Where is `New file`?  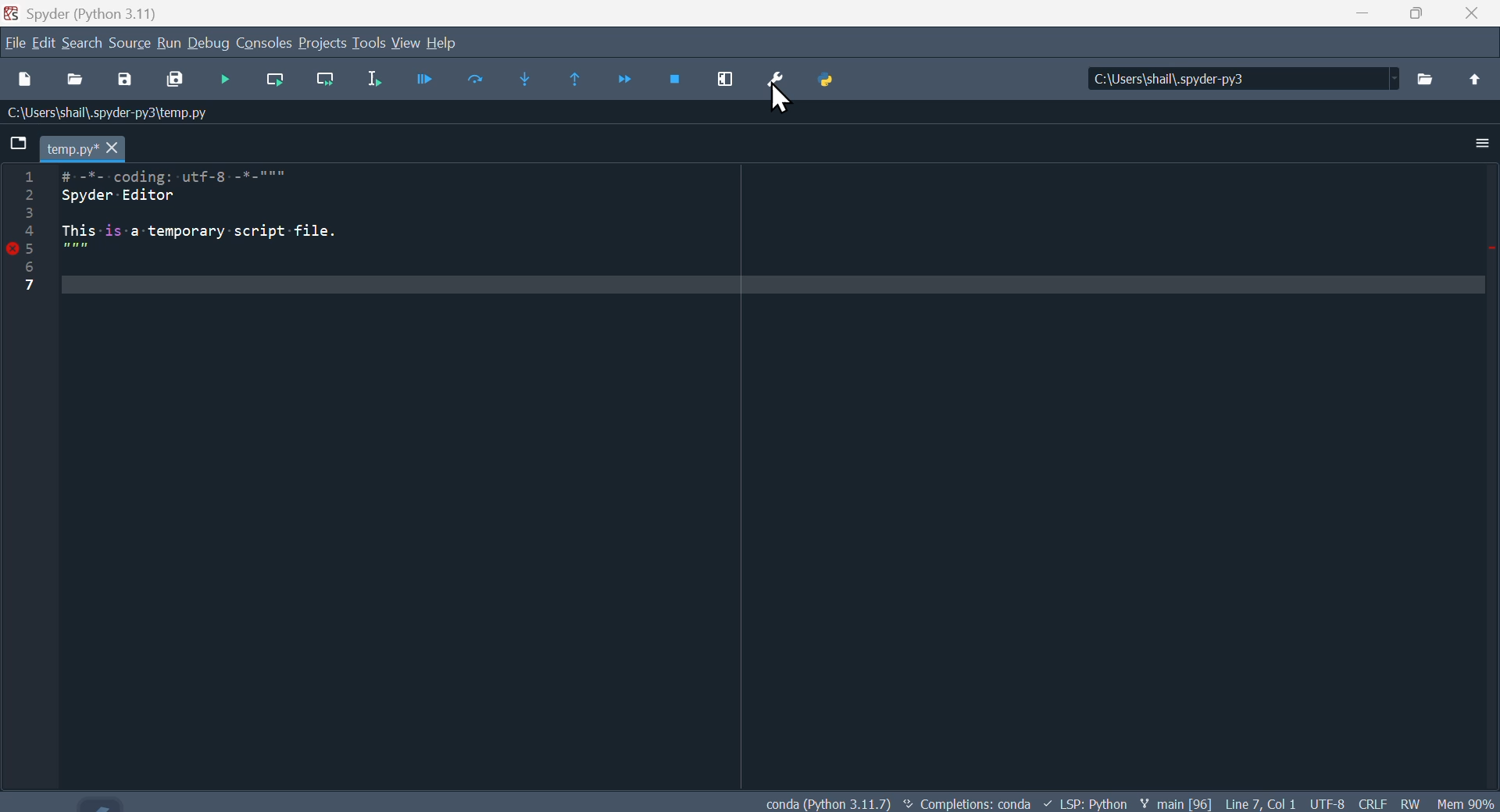 New file is located at coordinates (20, 77).